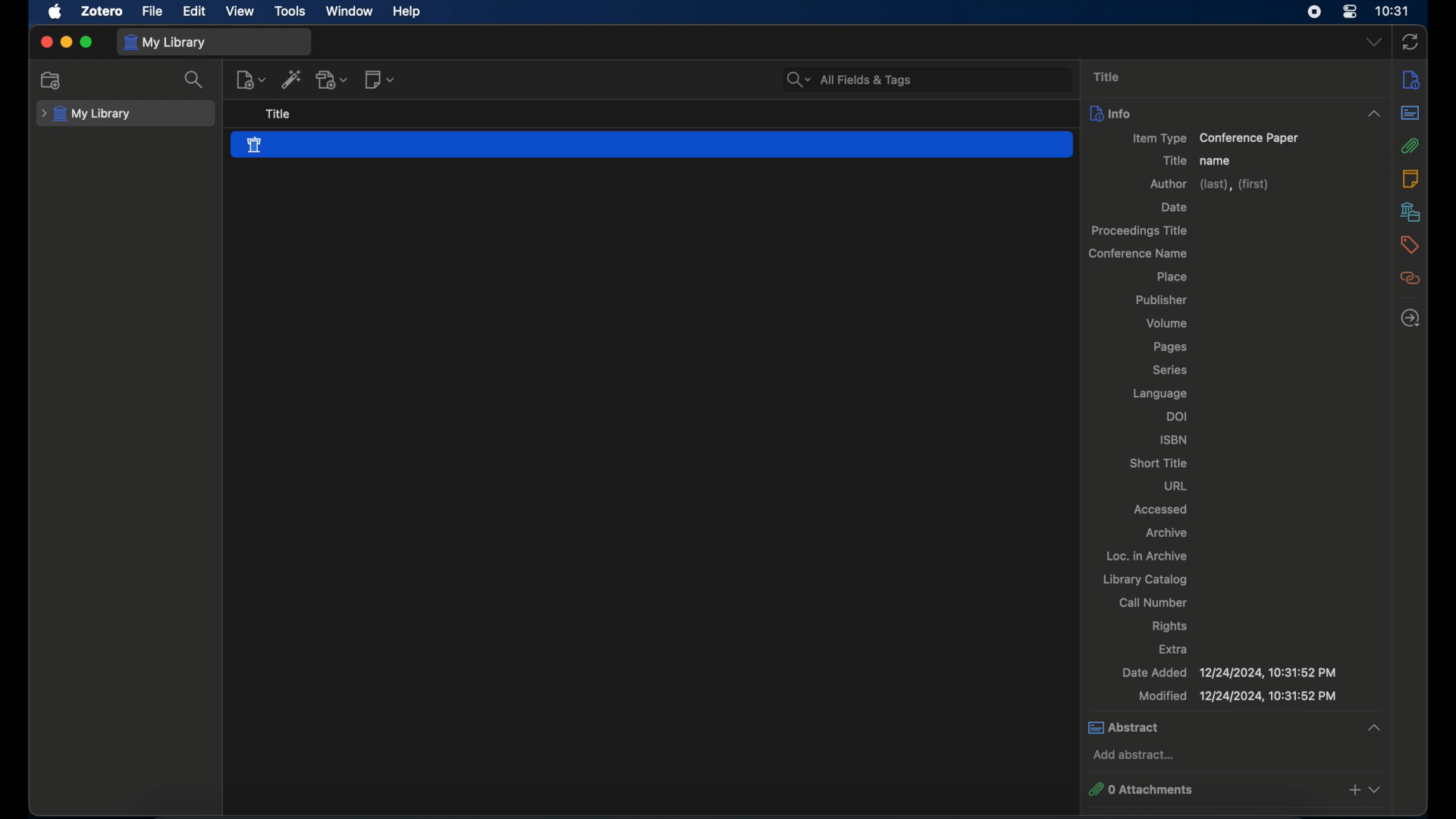 The image size is (1456, 819). Describe the element at coordinates (240, 11) in the screenshot. I see `view` at that location.